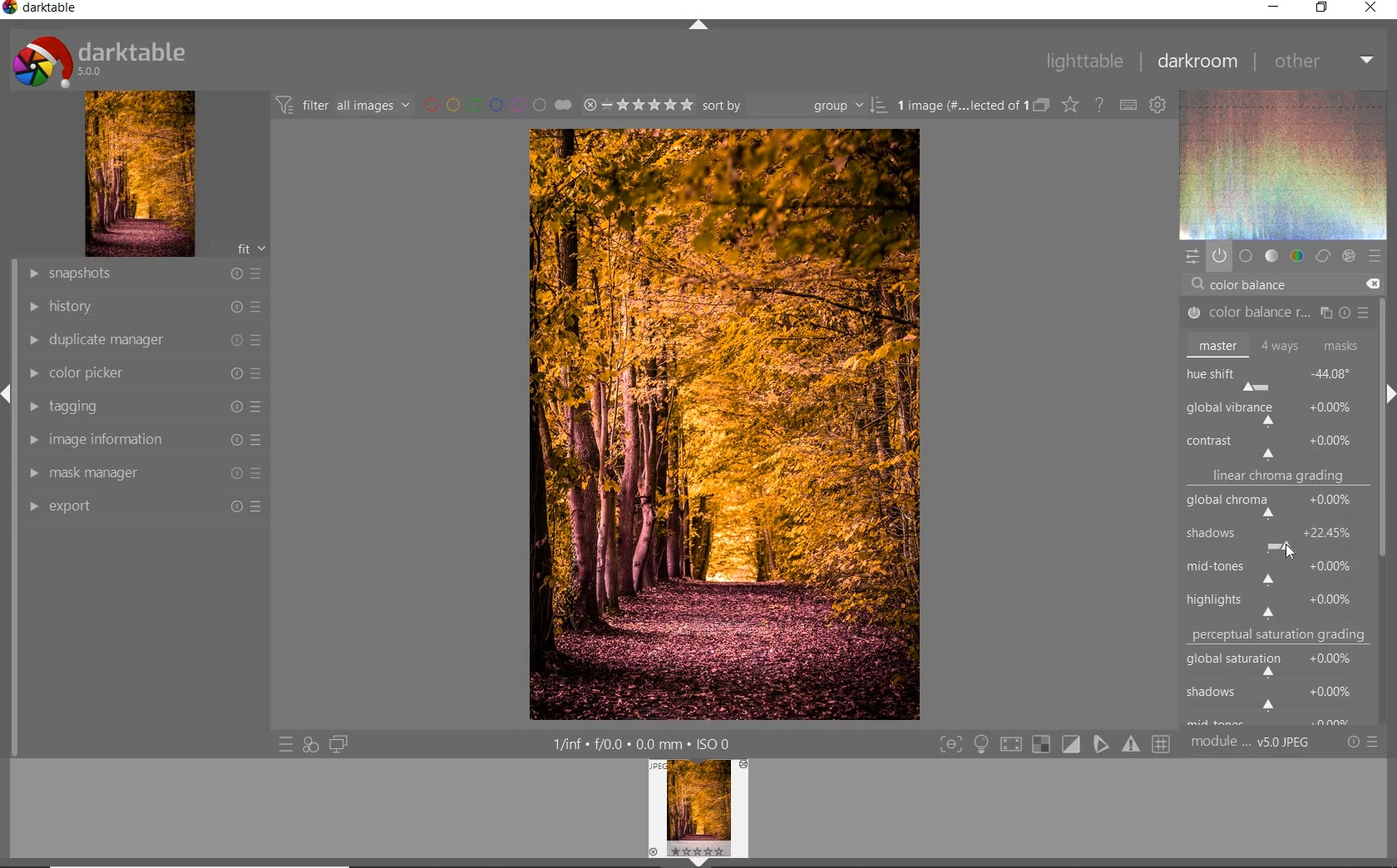 This screenshot has width=1397, height=868. What do you see at coordinates (644, 744) in the screenshot?
I see `other interface detail` at bounding box center [644, 744].